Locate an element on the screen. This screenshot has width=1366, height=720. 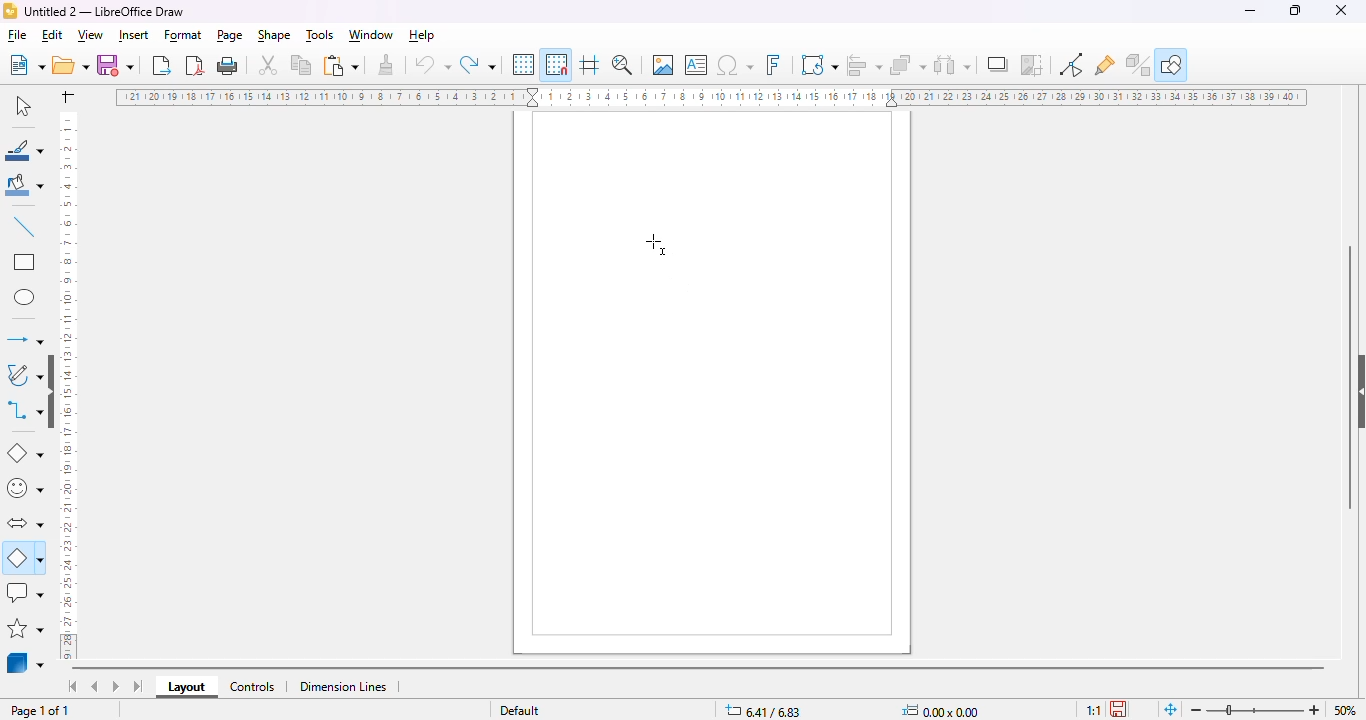
the document has not been modified since the last save is located at coordinates (1120, 708).